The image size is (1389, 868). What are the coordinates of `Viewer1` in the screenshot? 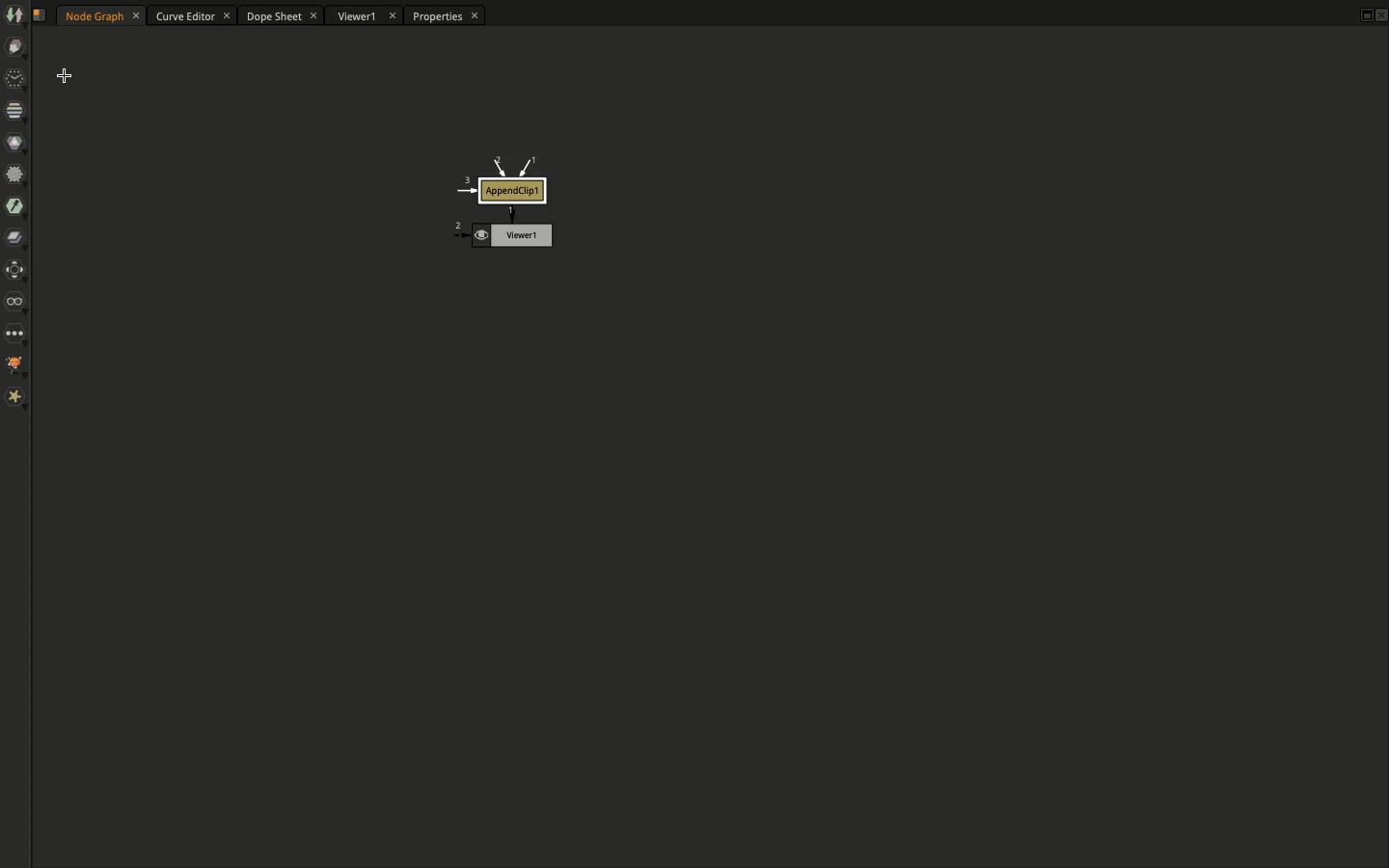 It's located at (365, 17).